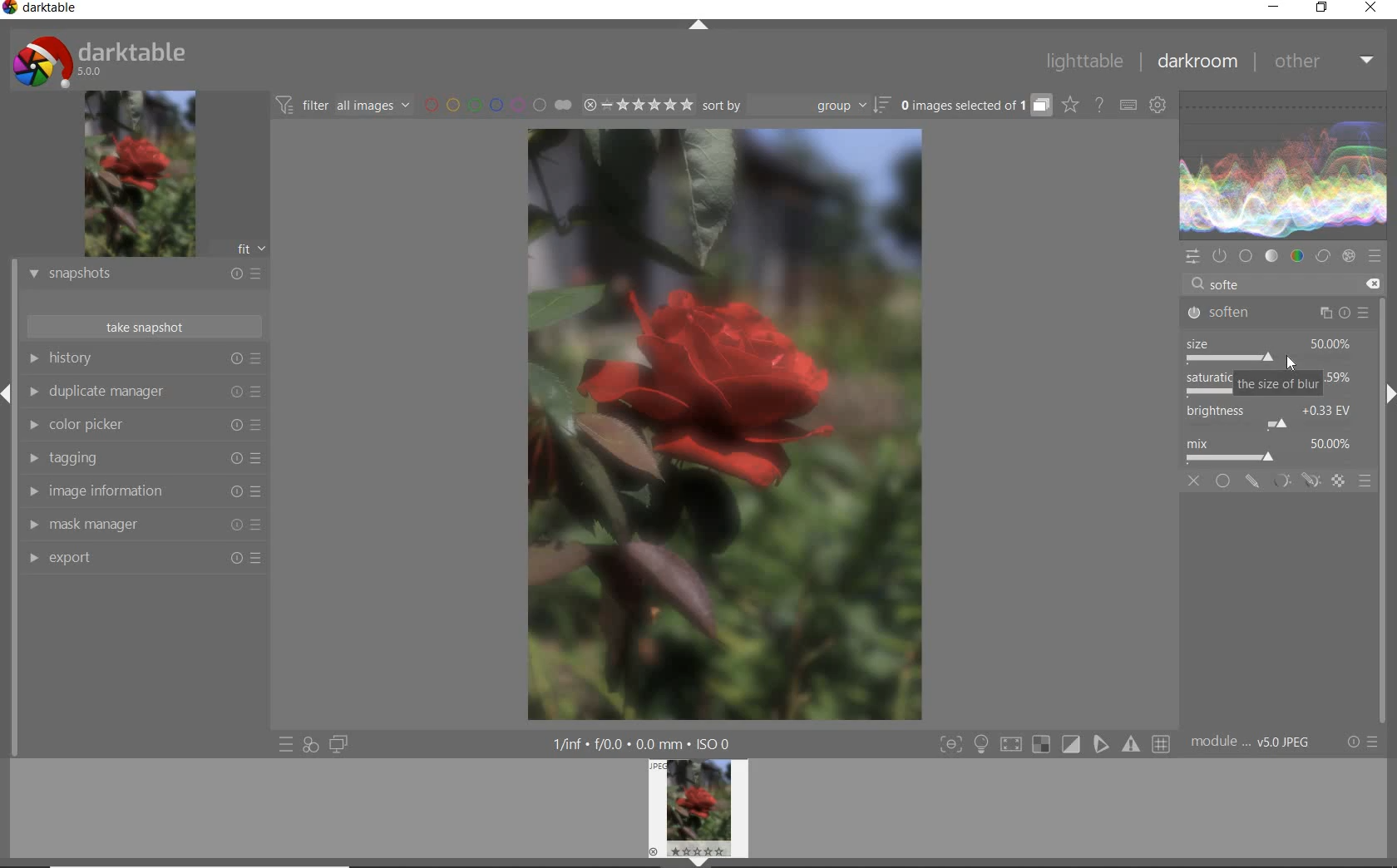 This screenshot has height=868, width=1397. What do you see at coordinates (45, 10) in the screenshot?
I see `system name` at bounding box center [45, 10].